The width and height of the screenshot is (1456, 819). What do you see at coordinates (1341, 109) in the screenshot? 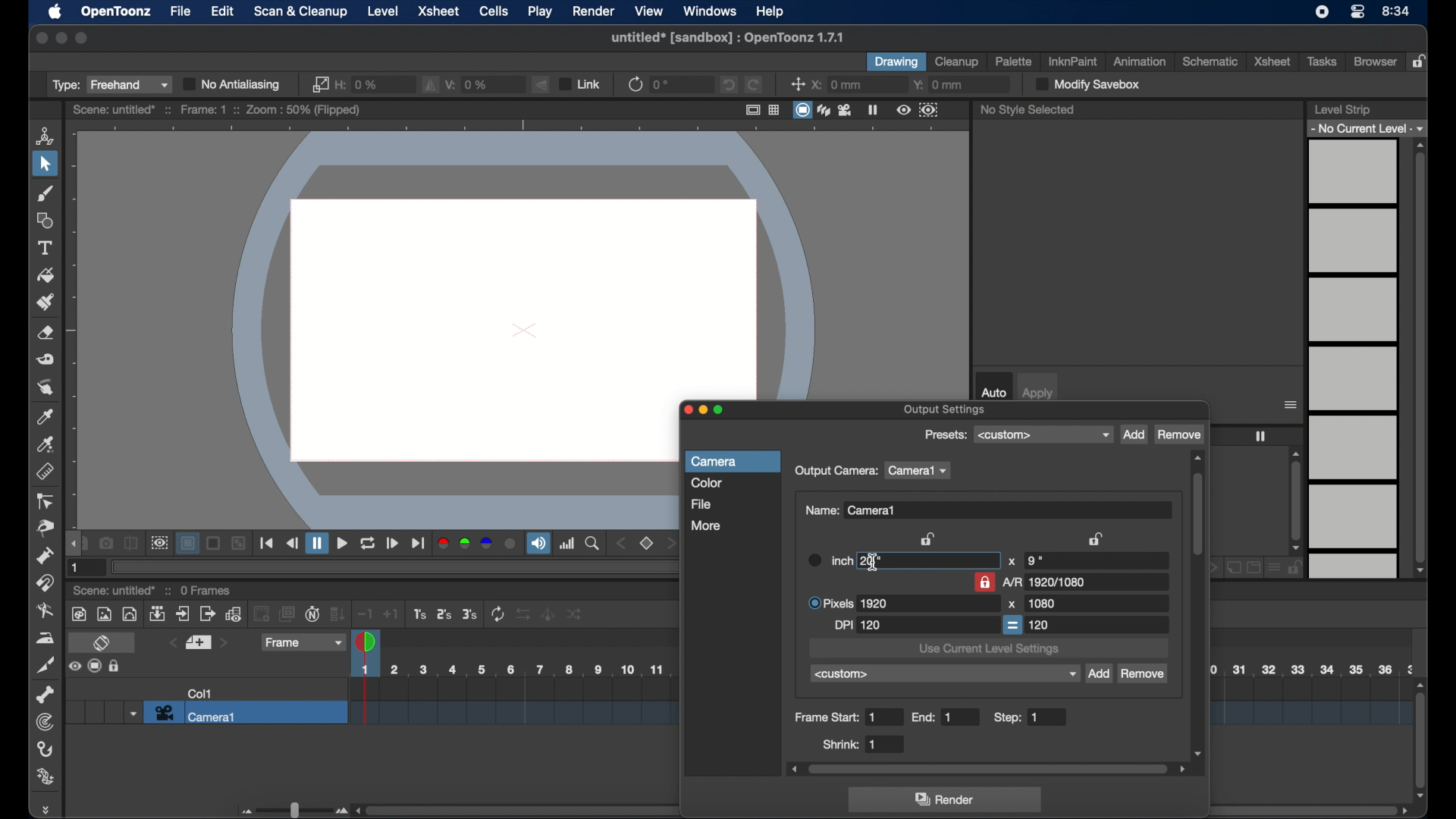
I see `level strip` at bounding box center [1341, 109].